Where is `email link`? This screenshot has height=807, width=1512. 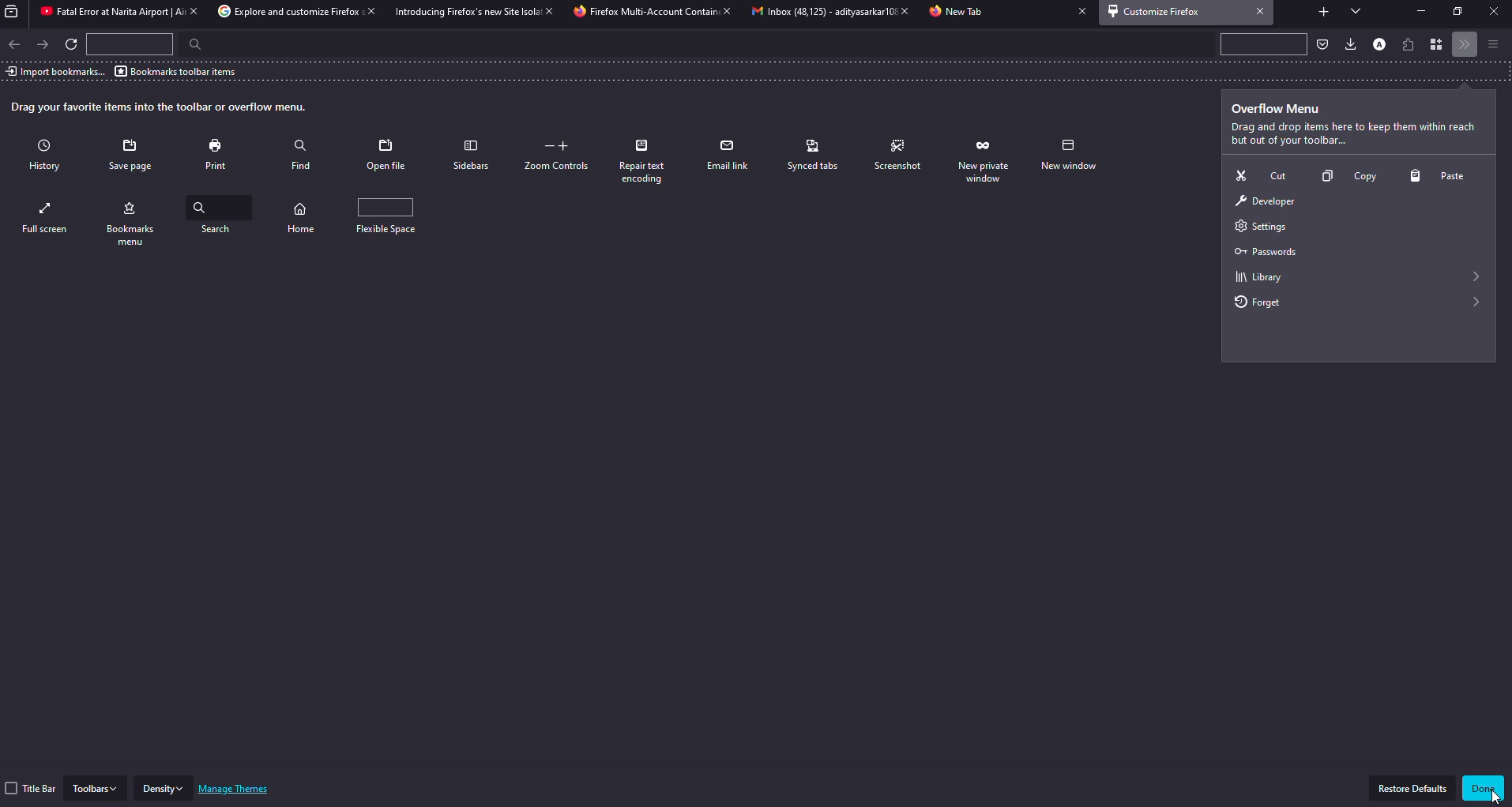
email link is located at coordinates (729, 155).